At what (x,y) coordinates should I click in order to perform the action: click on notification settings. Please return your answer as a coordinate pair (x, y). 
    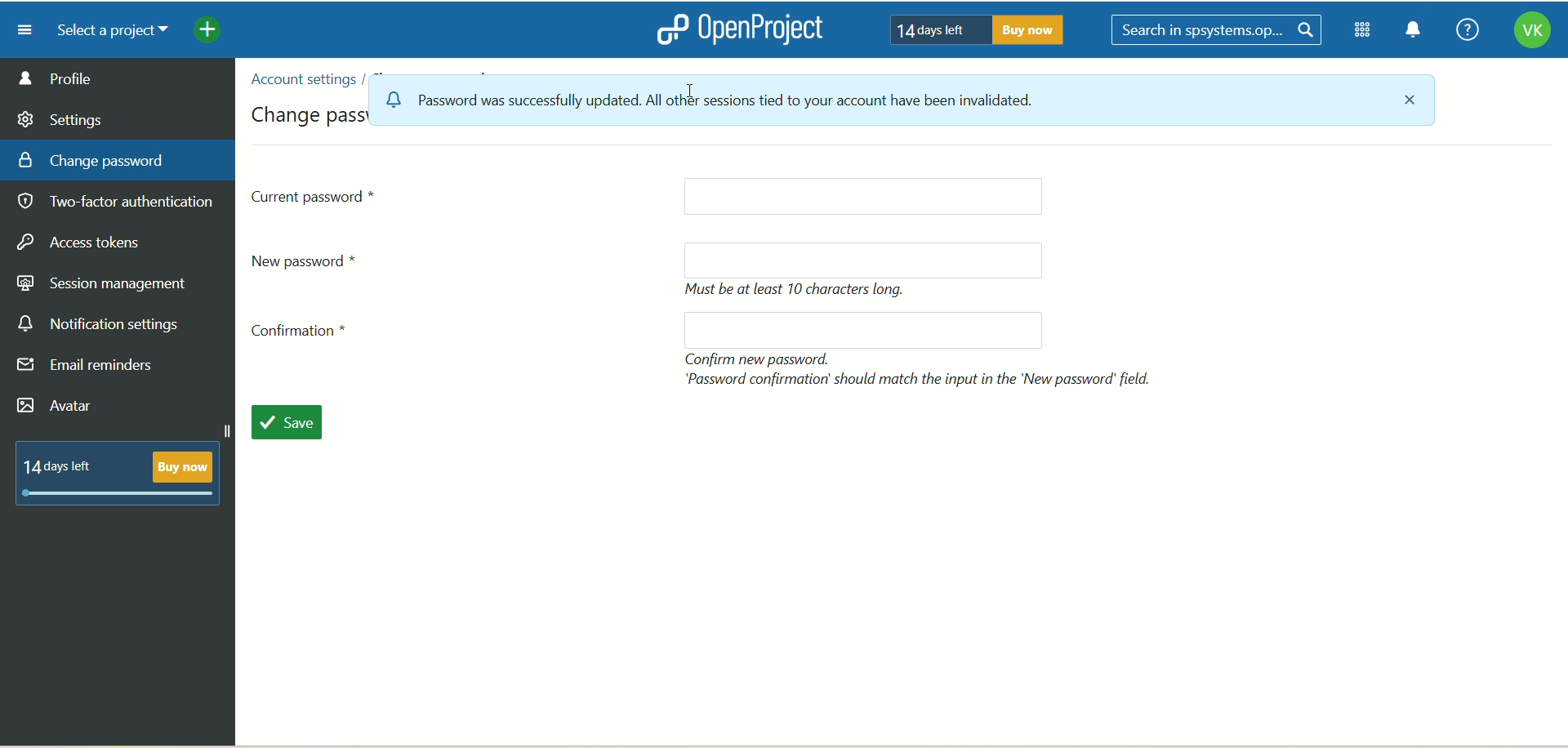
    Looking at the image, I should click on (99, 324).